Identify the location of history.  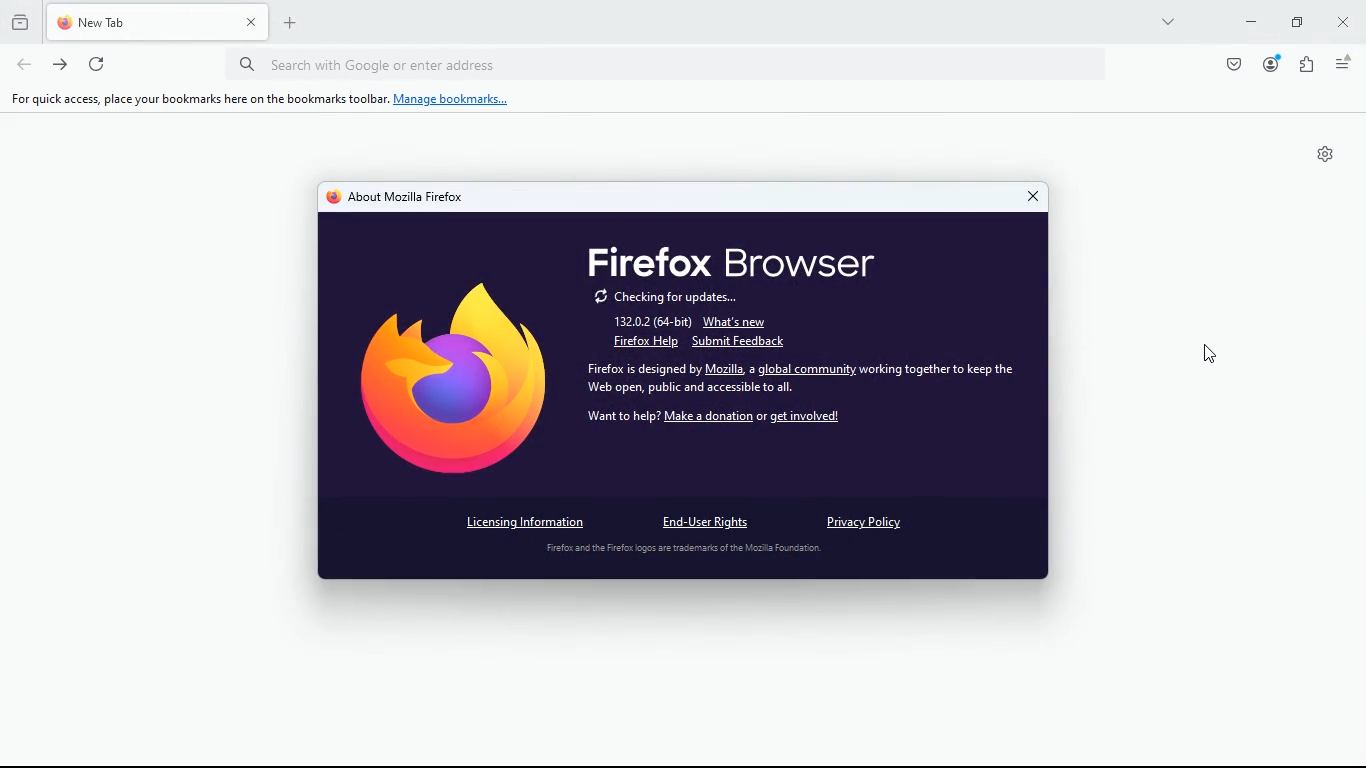
(18, 21).